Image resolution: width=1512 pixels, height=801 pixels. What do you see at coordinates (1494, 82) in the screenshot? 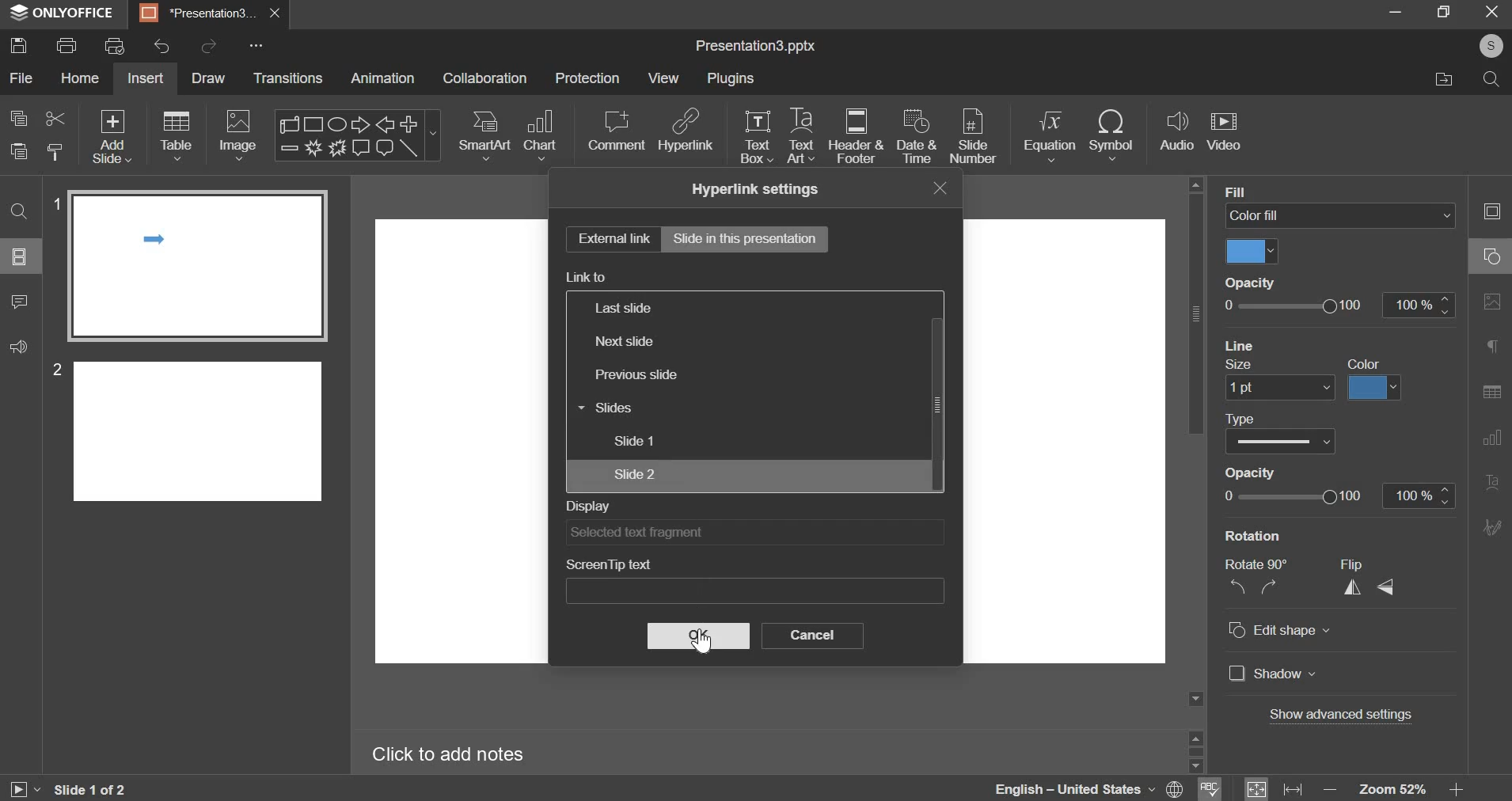
I see `search` at bounding box center [1494, 82].